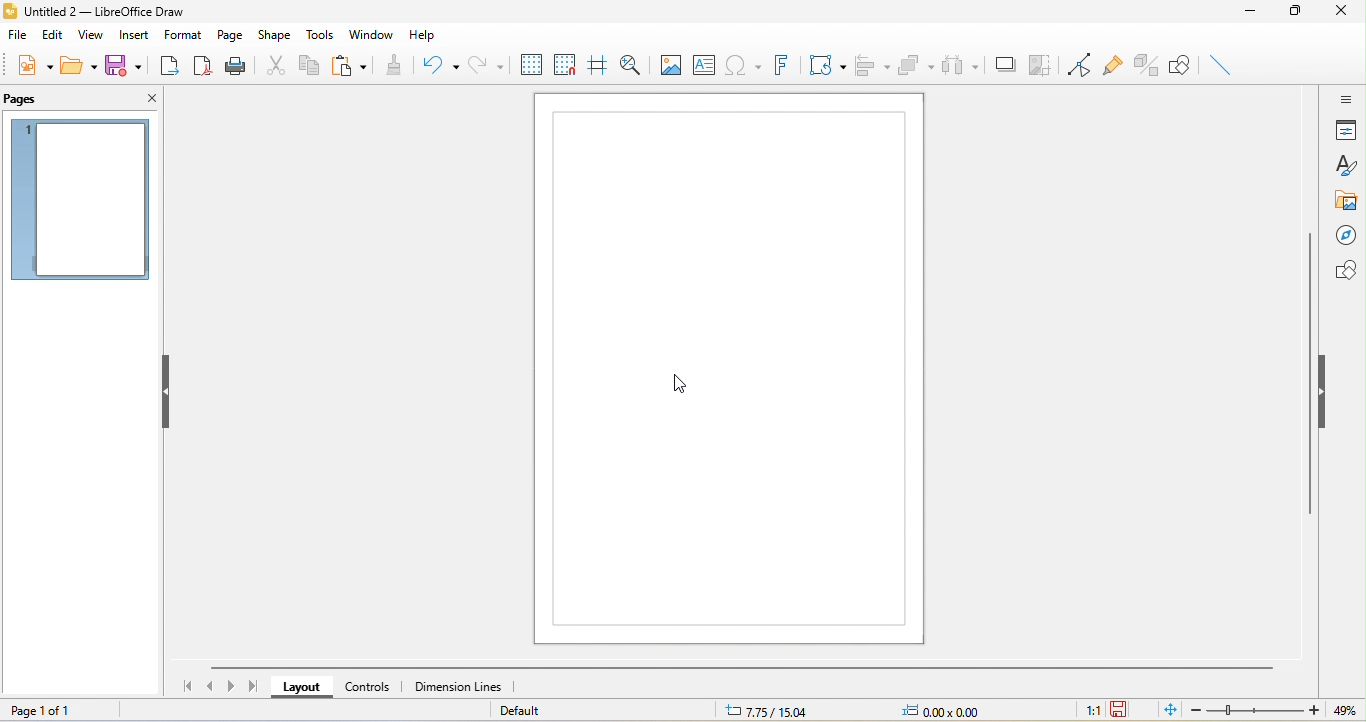 The image size is (1366, 722). I want to click on first page, so click(187, 688).